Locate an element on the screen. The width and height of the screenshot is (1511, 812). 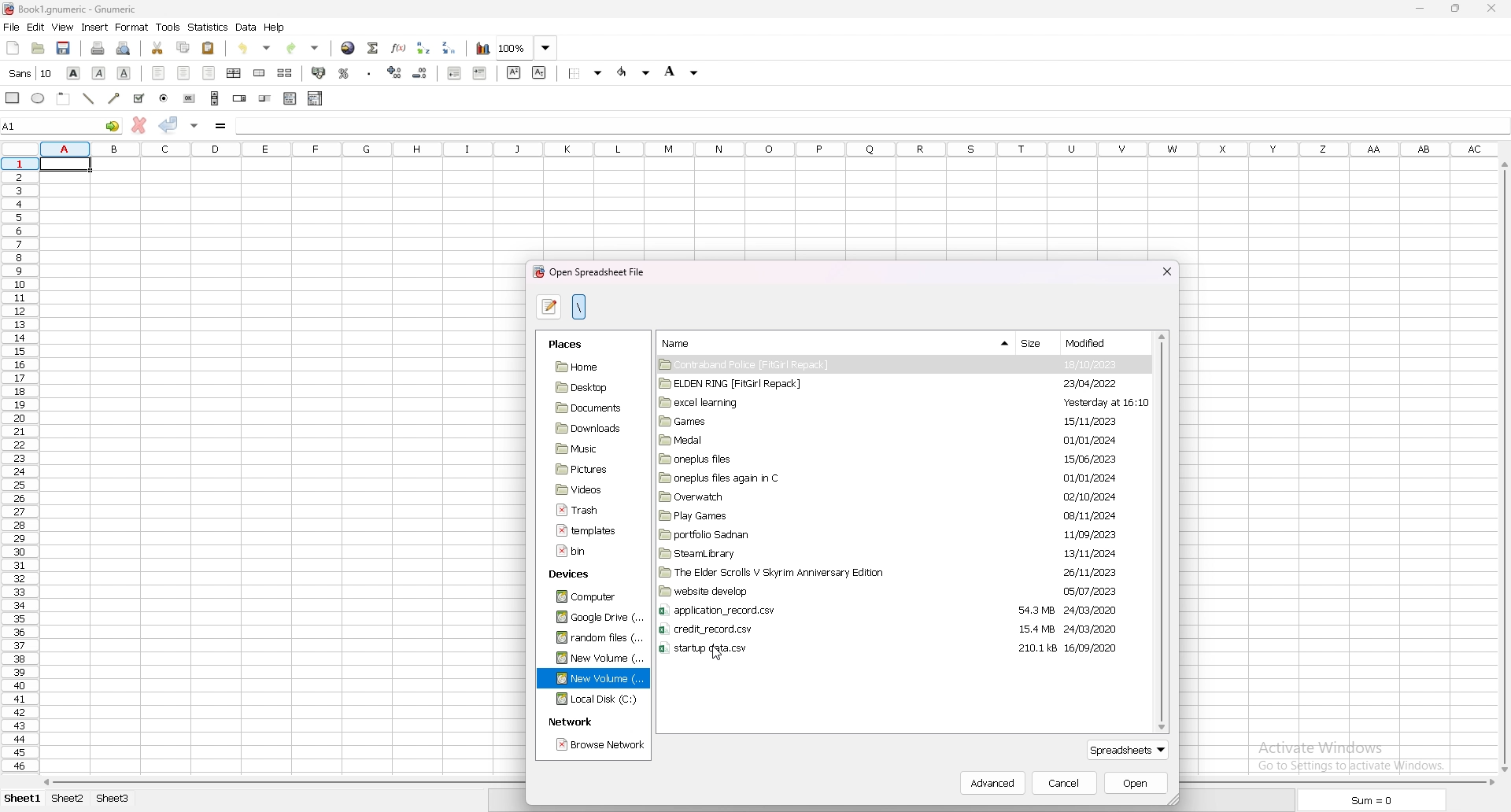
radio button is located at coordinates (164, 98).